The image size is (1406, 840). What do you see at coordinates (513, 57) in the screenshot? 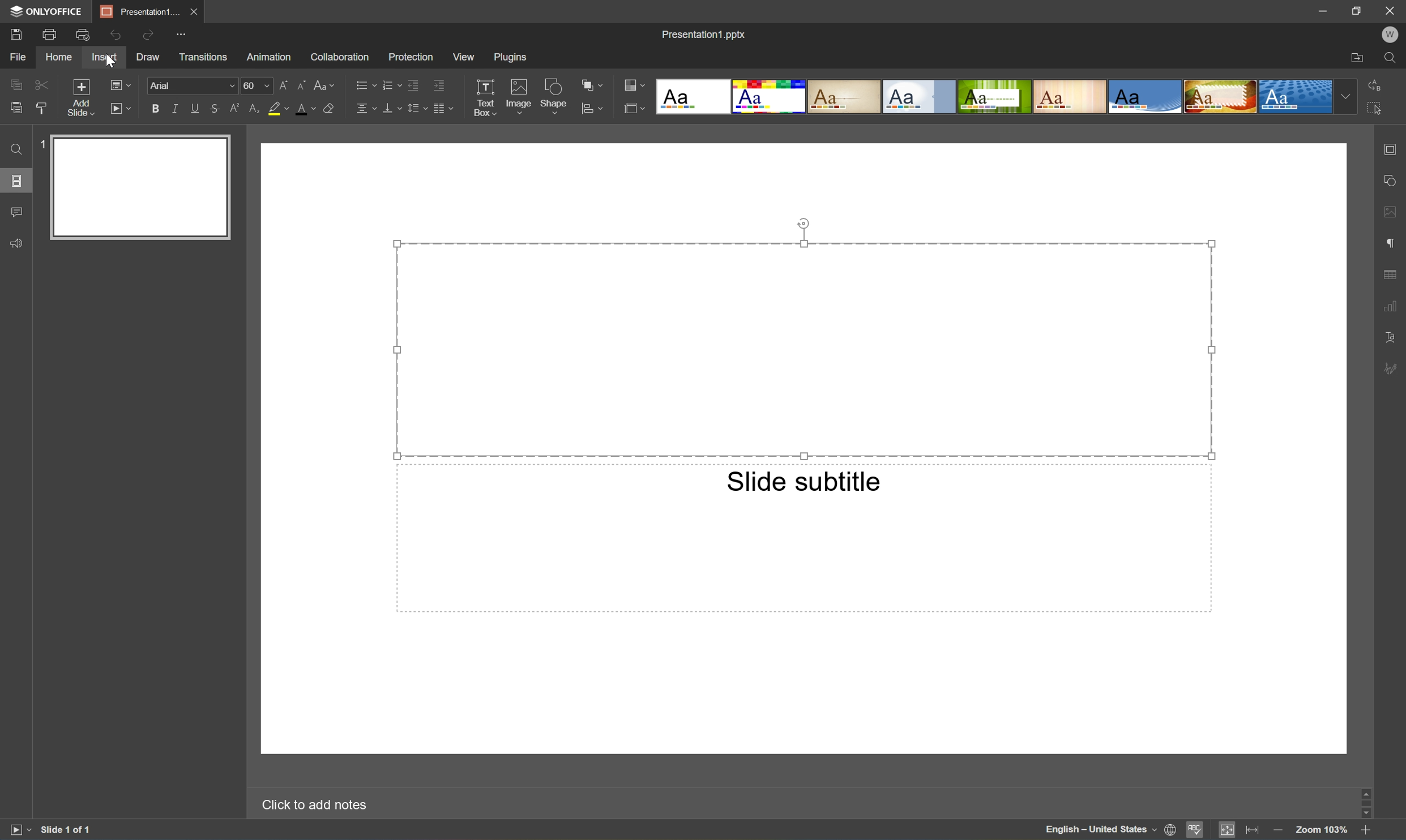
I see `Plugins` at bounding box center [513, 57].